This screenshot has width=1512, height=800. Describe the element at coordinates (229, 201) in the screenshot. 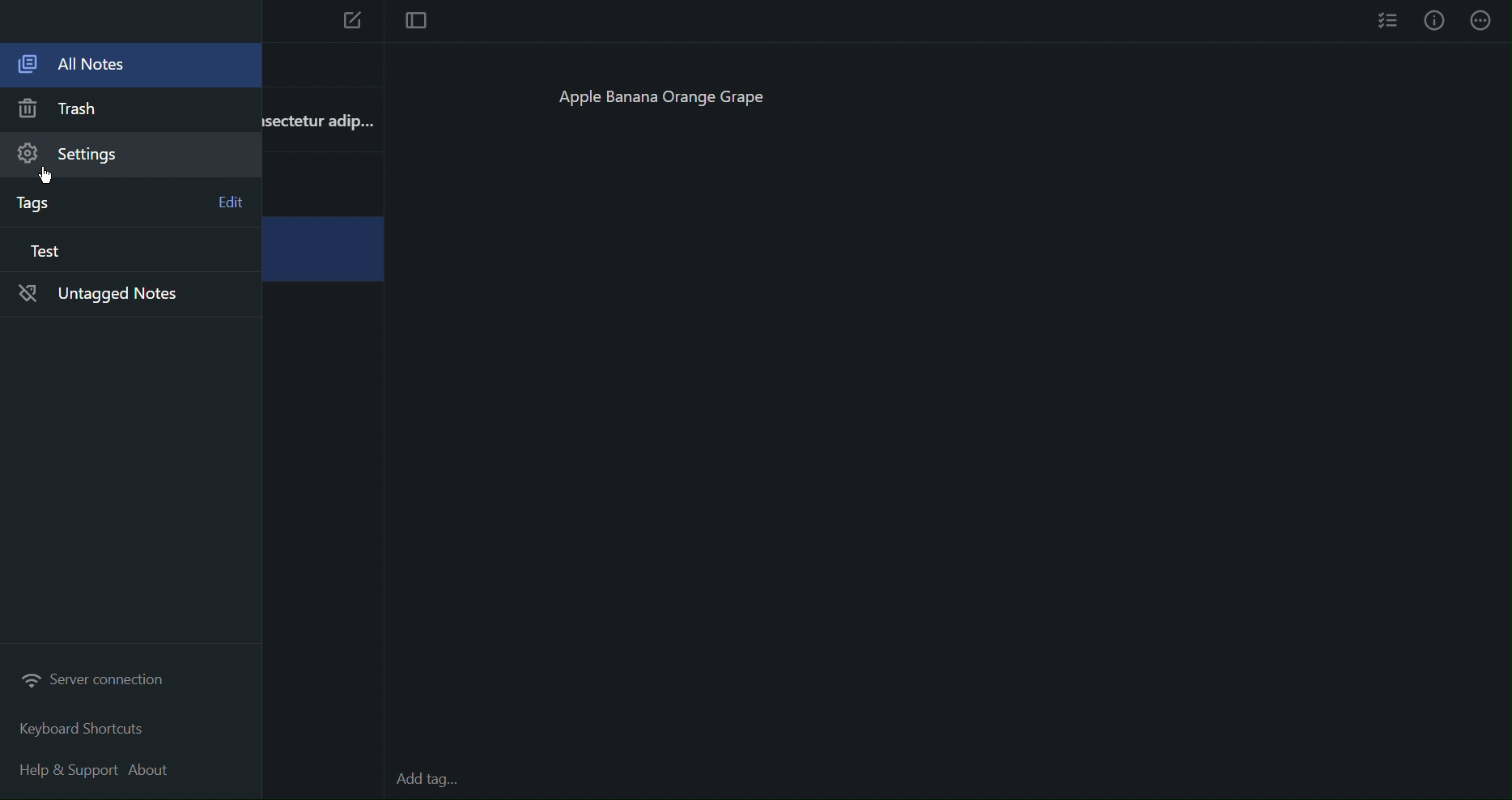

I see `Edit` at that location.